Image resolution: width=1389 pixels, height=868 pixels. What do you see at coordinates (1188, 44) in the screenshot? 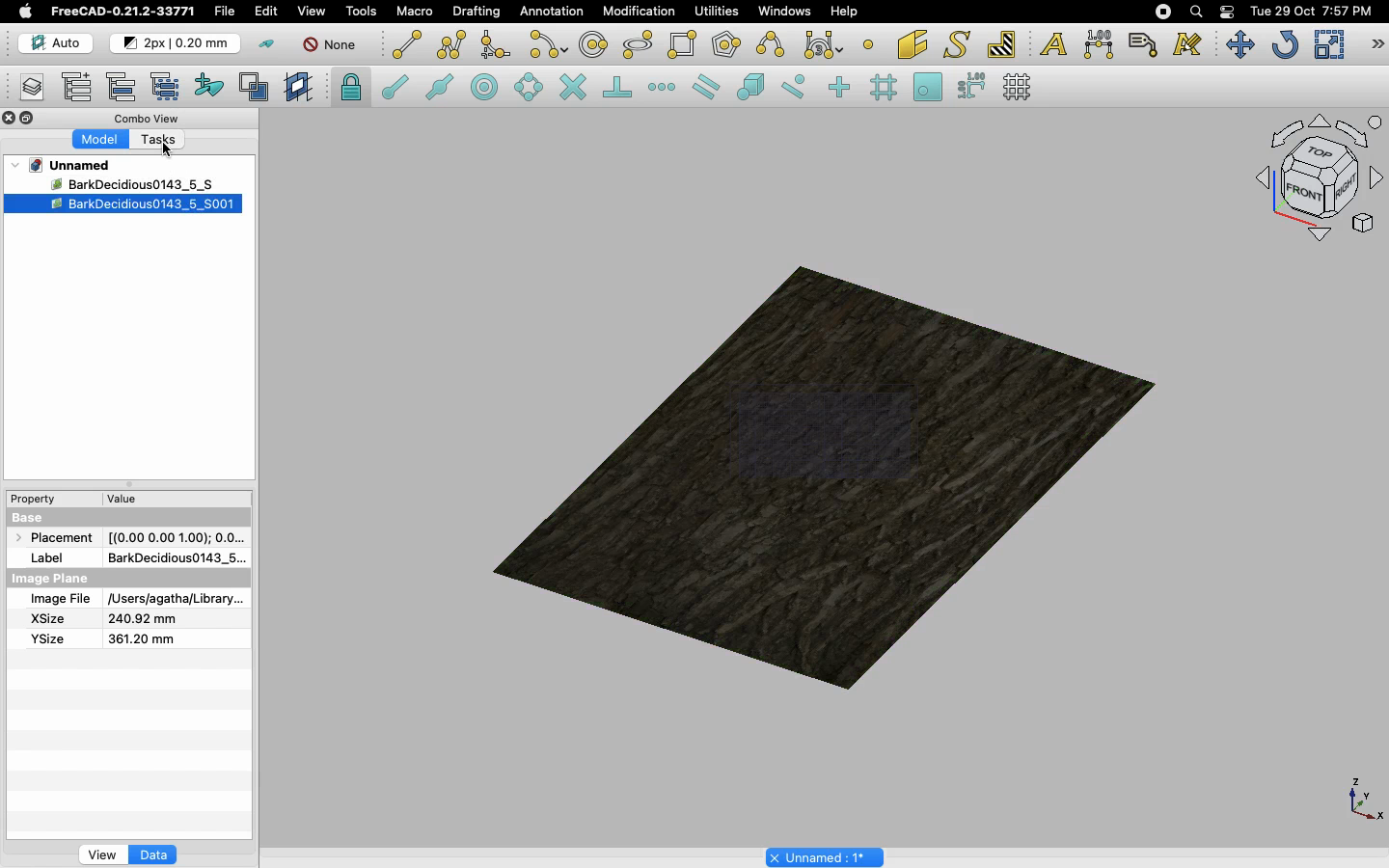
I see `Annotation styles` at bounding box center [1188, 44].